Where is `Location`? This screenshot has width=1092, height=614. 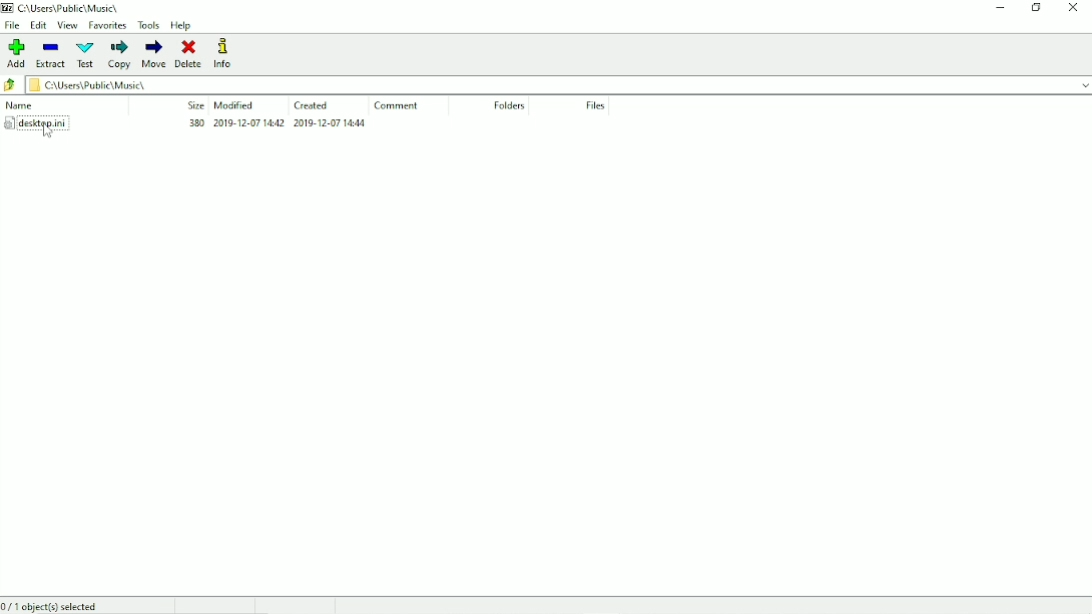 Location is located at coordinates (65, 8).